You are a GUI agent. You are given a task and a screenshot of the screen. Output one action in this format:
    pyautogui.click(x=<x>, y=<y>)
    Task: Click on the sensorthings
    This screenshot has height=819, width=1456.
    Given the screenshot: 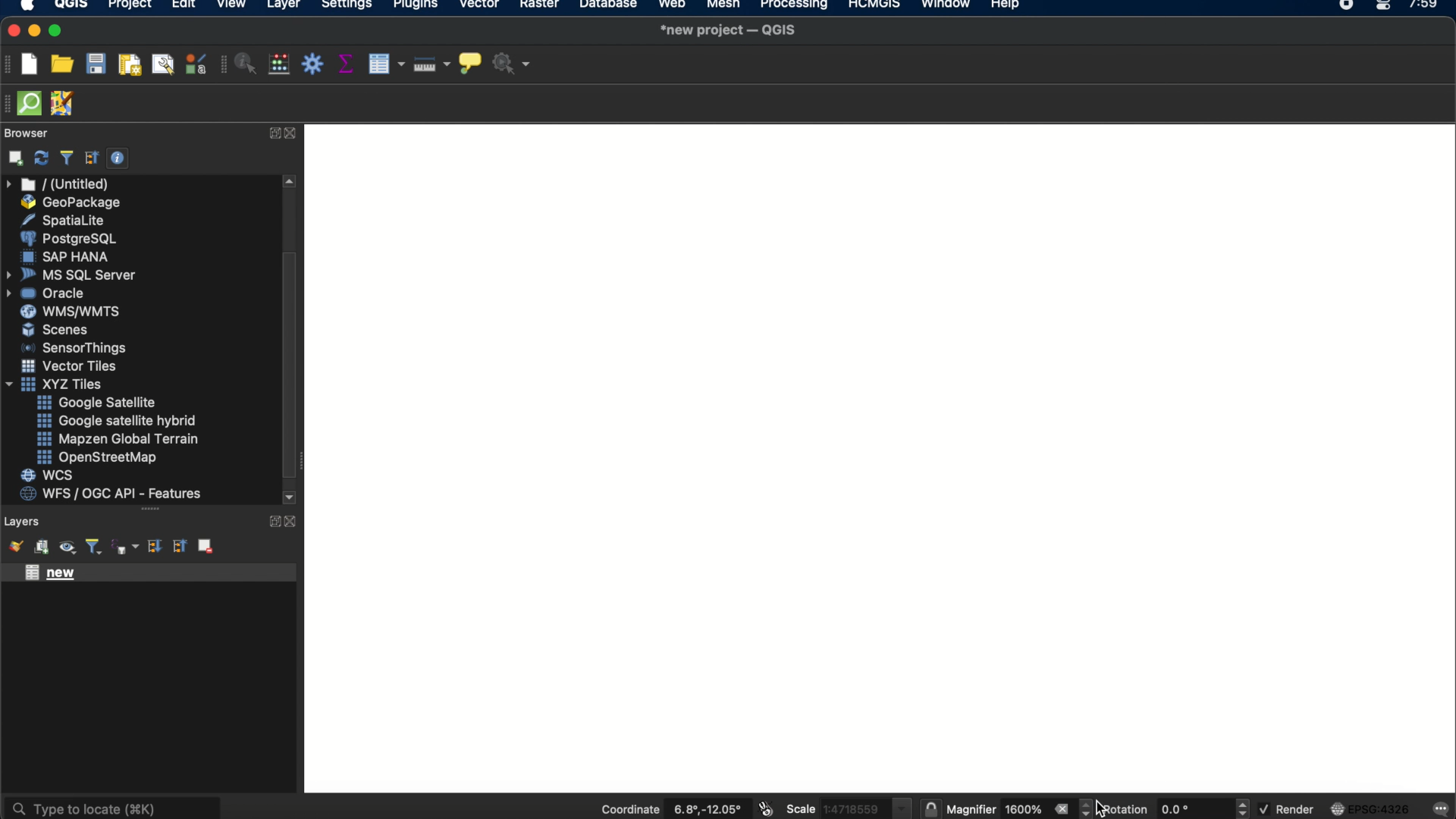 What is the action you would take?
    pyautogui.click(x=74, y=348)
    